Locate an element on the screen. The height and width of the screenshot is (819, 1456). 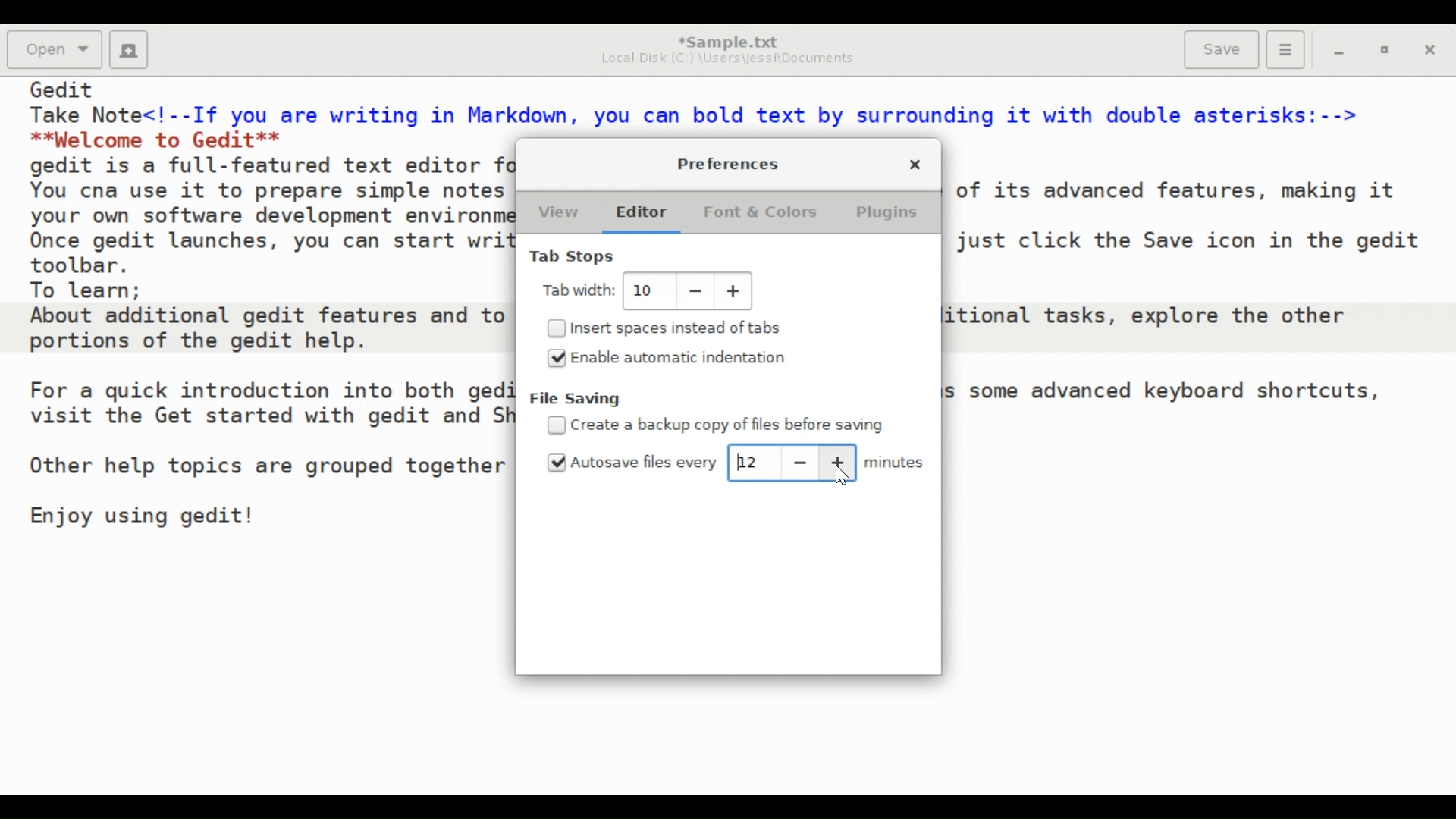
(un)select Autosave files every is located at coordinates (631, 462).